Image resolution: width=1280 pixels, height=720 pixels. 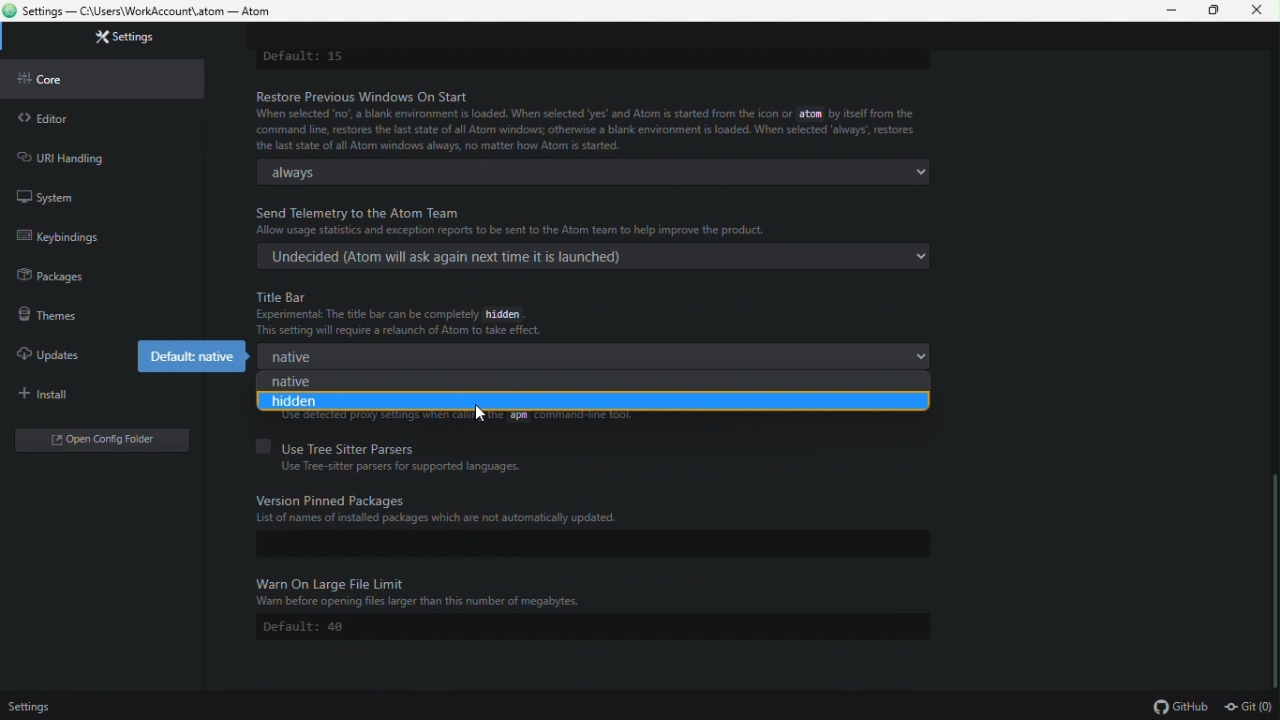 What do you see at coordinates (101, 442) in the screenshot?
I see `open config editor` at bounding box center [101, 442].